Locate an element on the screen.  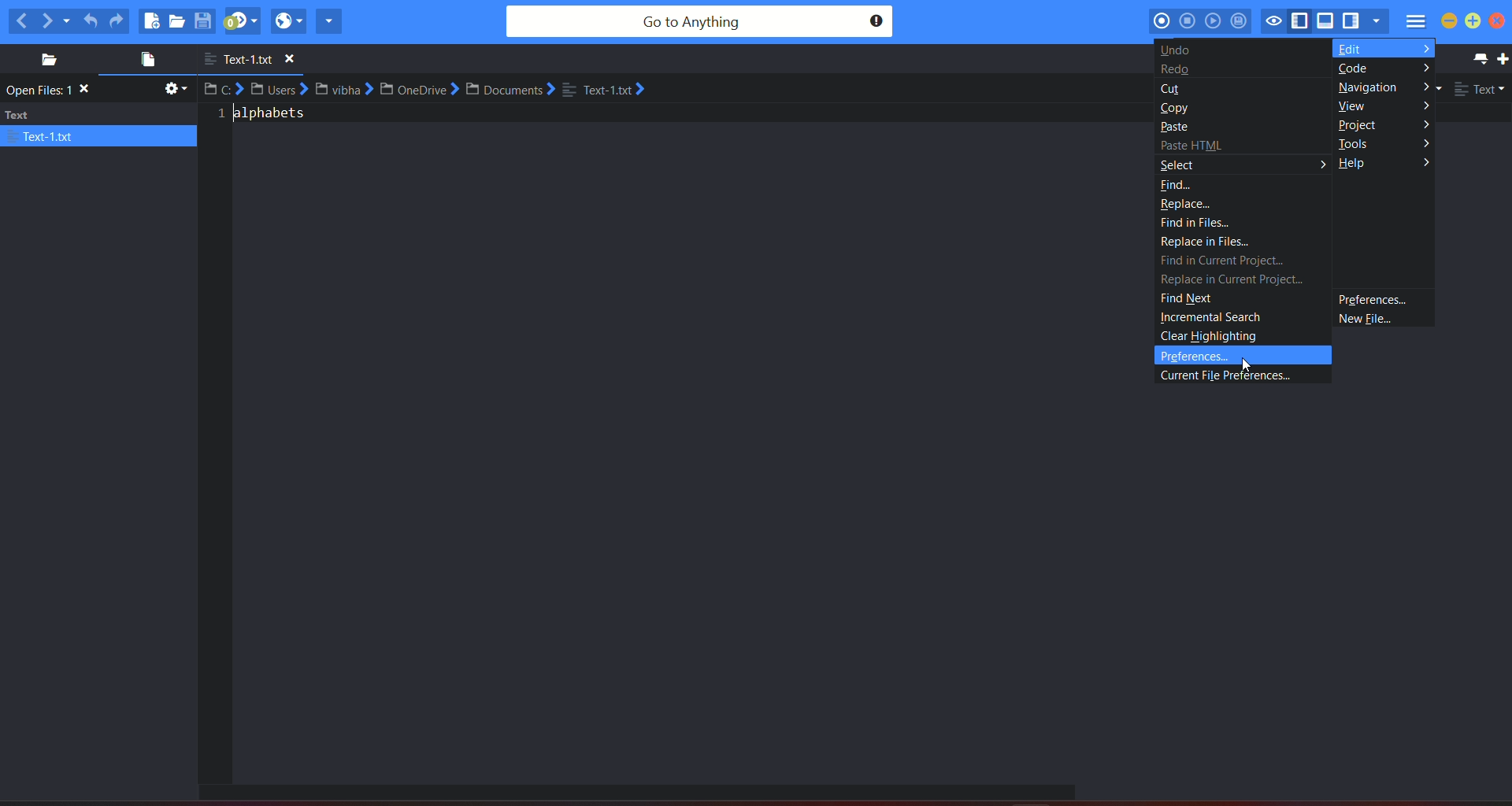
save file is located at coordinates (205, 20).